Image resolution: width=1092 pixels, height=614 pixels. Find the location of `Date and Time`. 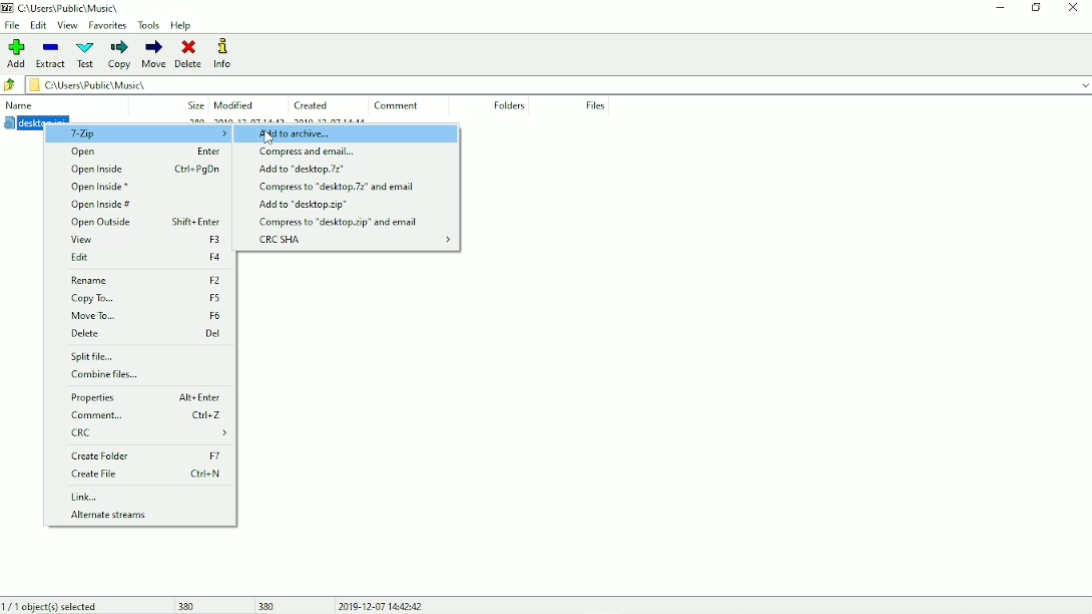

Date and Time is located at coordinates (384, 605).